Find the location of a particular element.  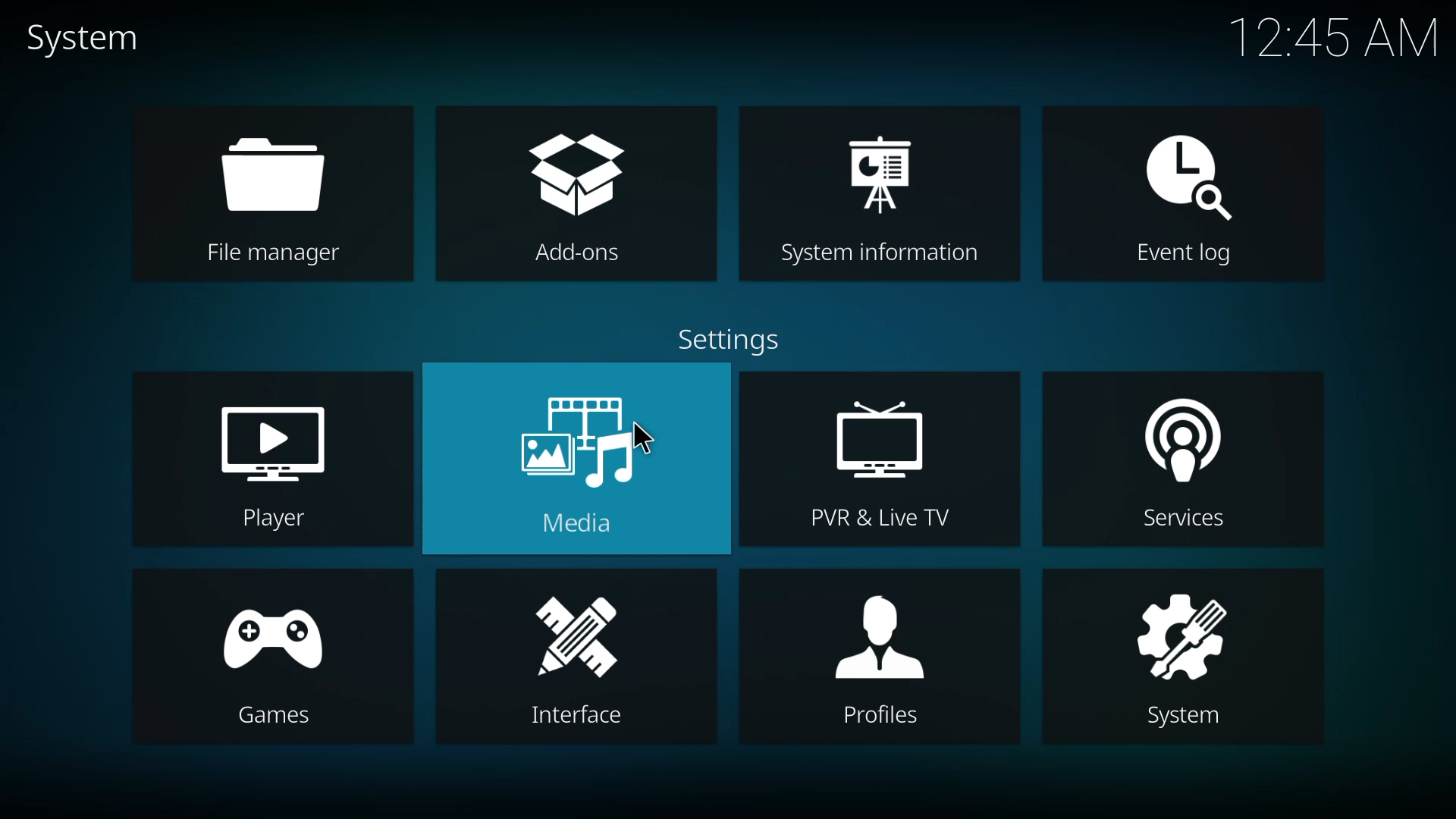

cursor is located at coordinates (643, 439).